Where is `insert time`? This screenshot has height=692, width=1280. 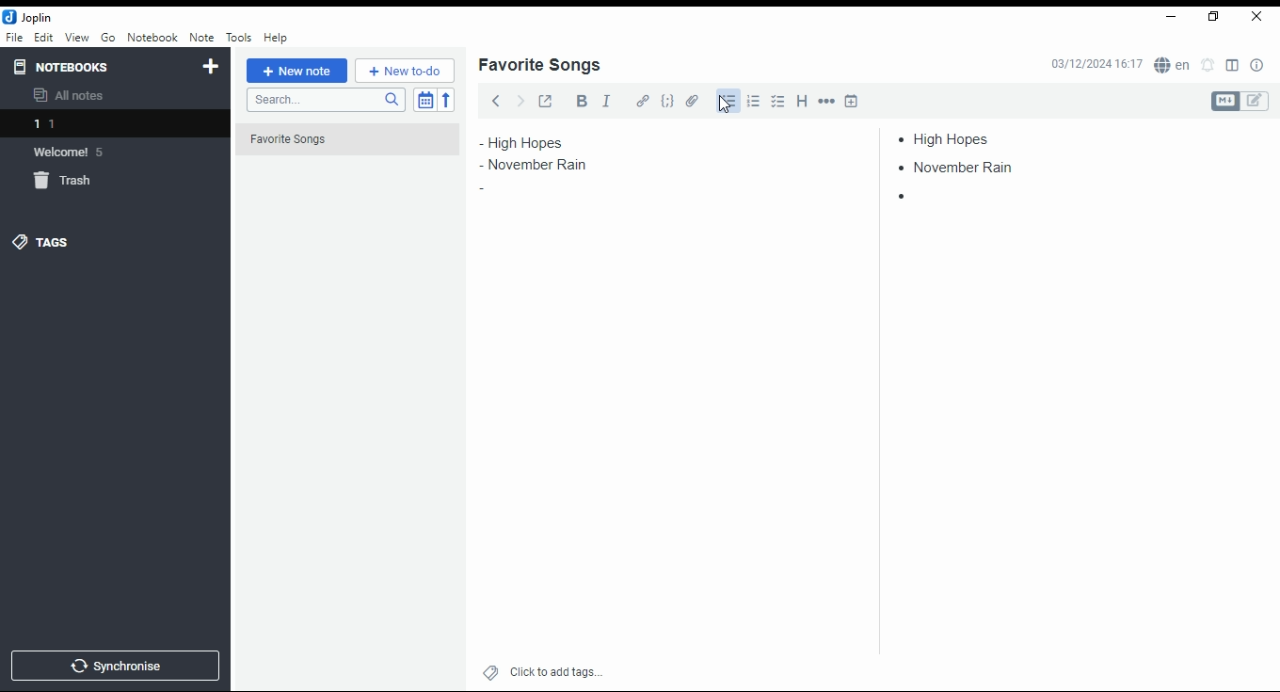 insert time is located at coordinates (852, 100).